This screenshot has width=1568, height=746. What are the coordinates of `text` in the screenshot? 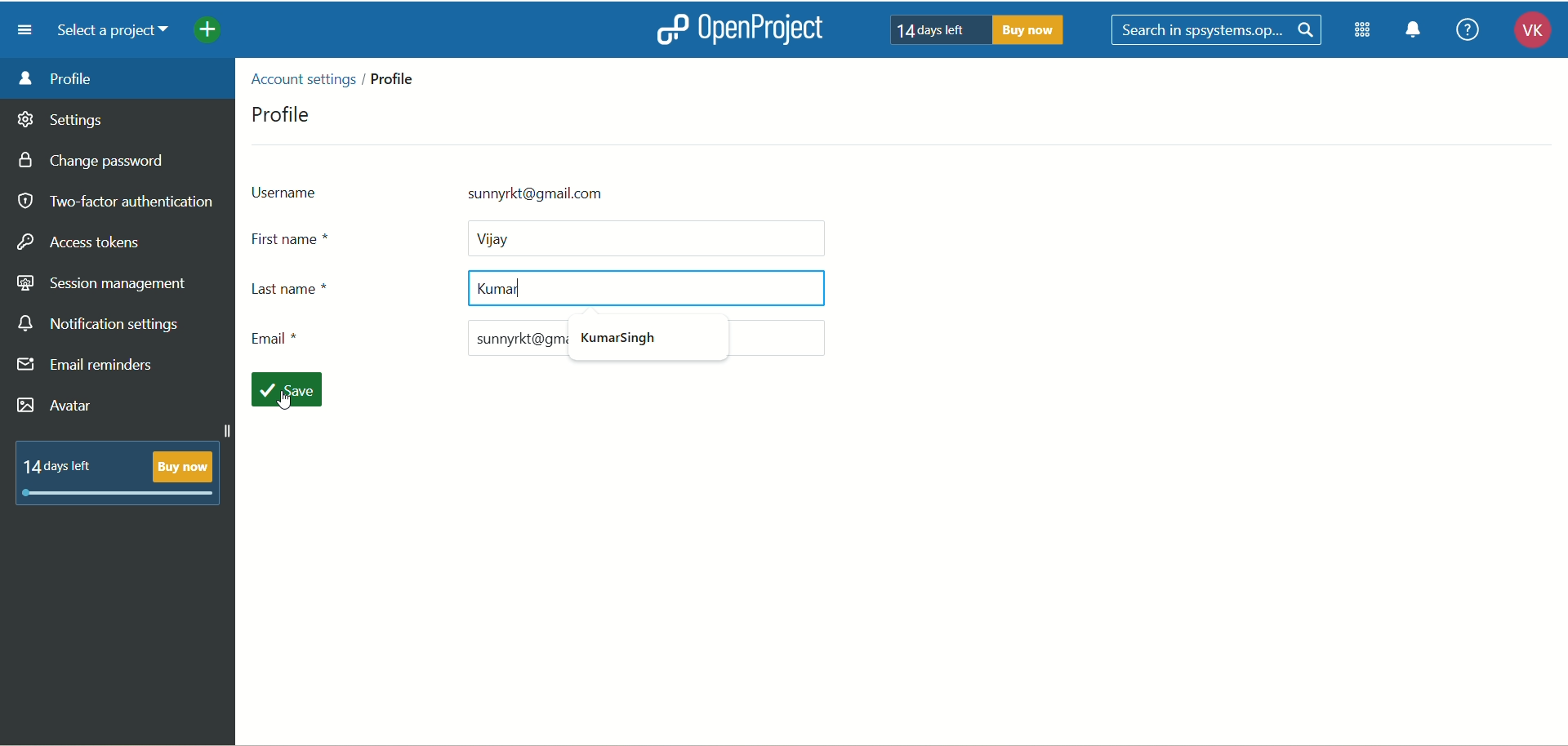 It's located at (979, 30).